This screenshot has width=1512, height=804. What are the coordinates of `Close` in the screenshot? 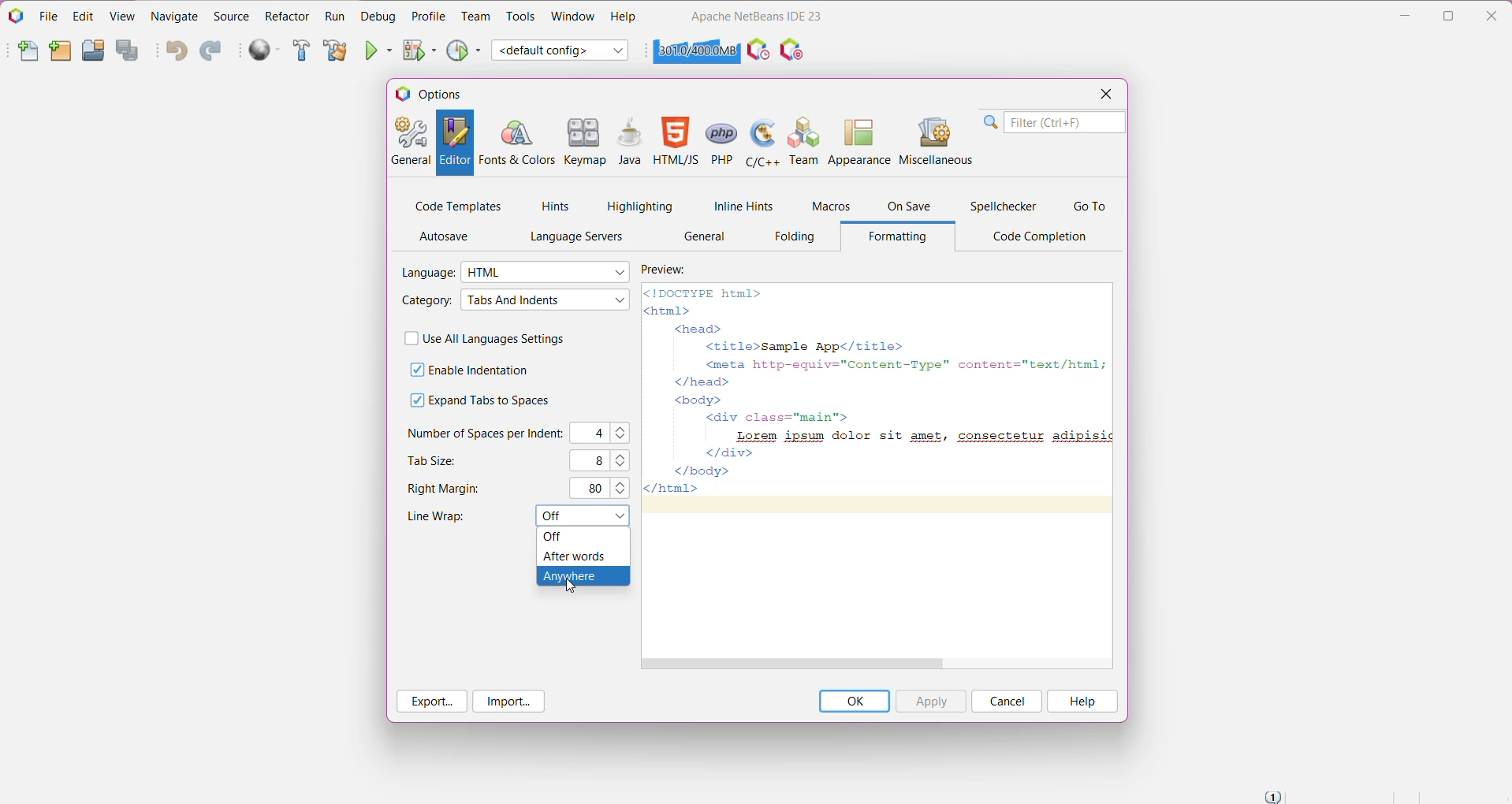 It's located at (1495, 13).